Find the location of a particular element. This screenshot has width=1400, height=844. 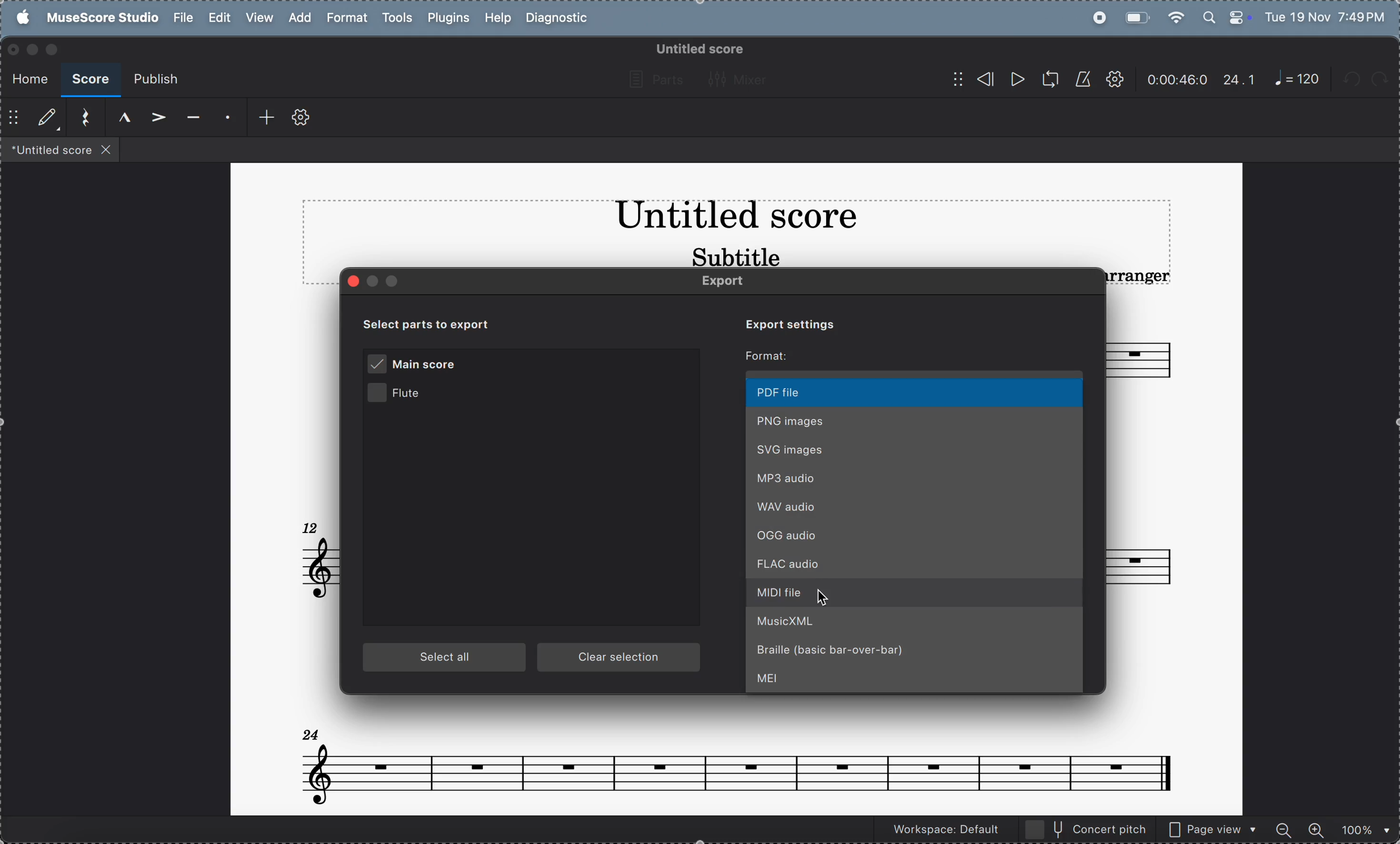

home is located at coordinates (27, 77).